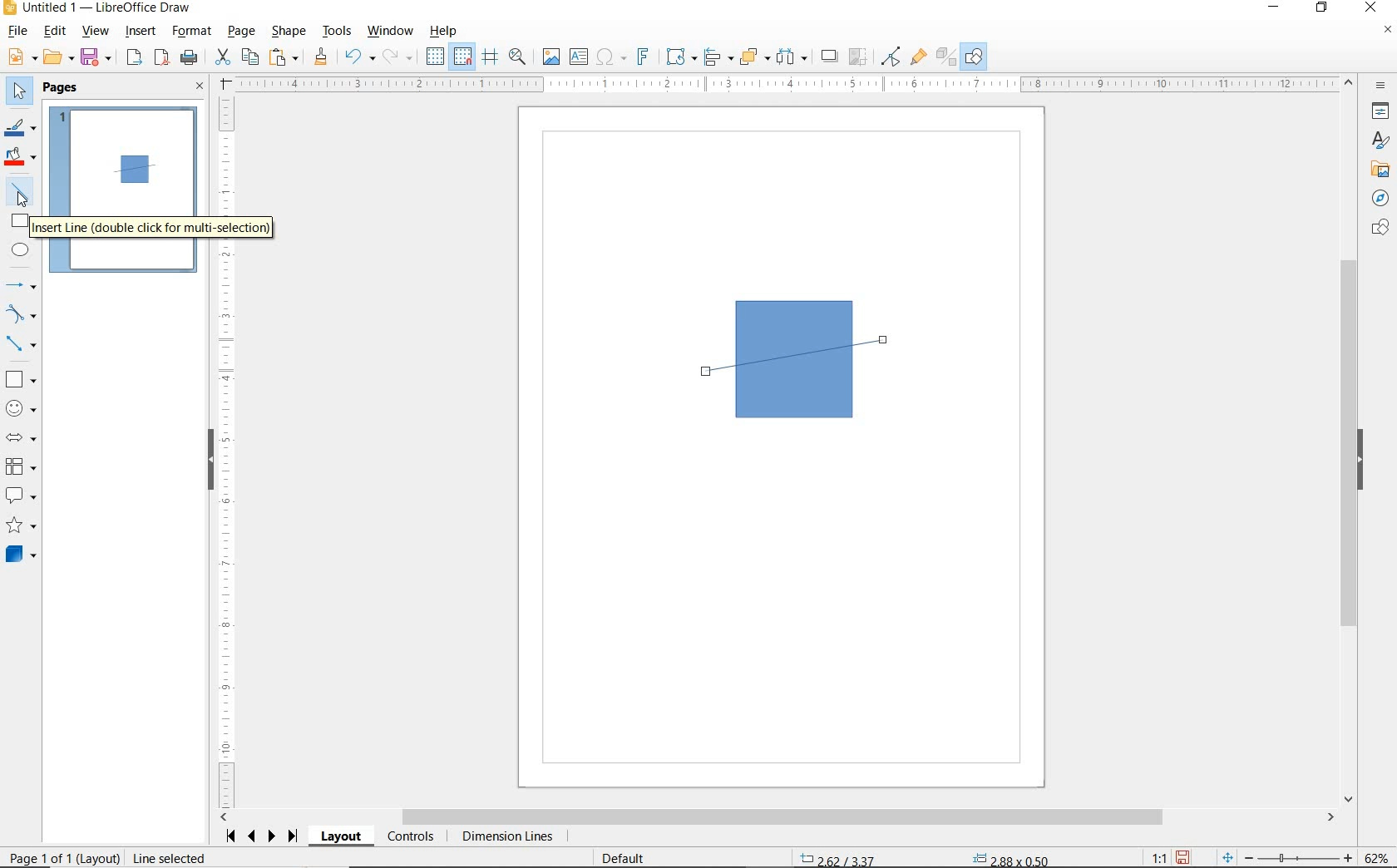 This screenshot has height=868, width=1397. Describe the element at coordinates (787, 84) in the screenshot. I see `RULER` at that location.